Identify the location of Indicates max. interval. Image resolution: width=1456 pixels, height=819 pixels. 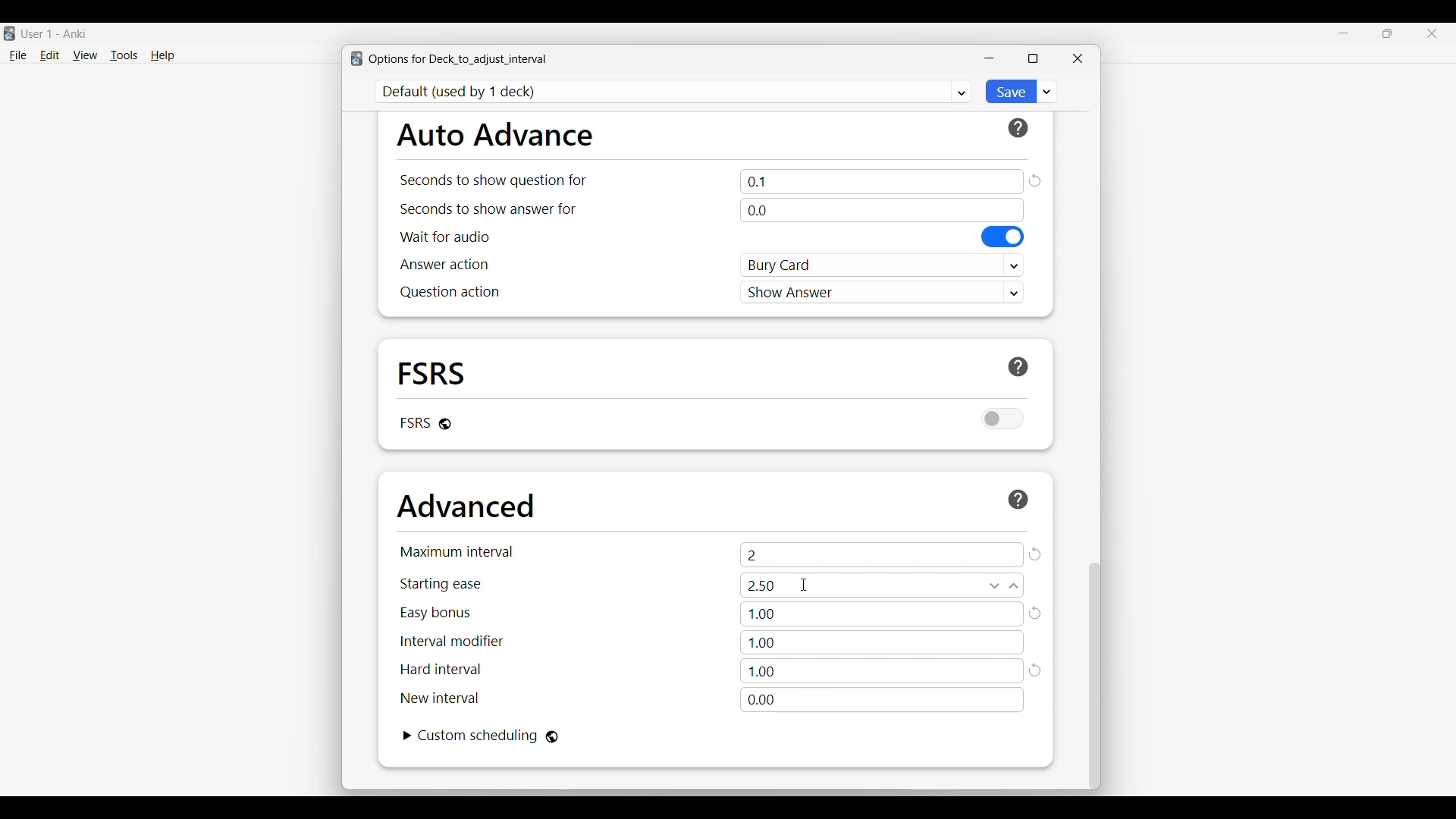
(457, 551).